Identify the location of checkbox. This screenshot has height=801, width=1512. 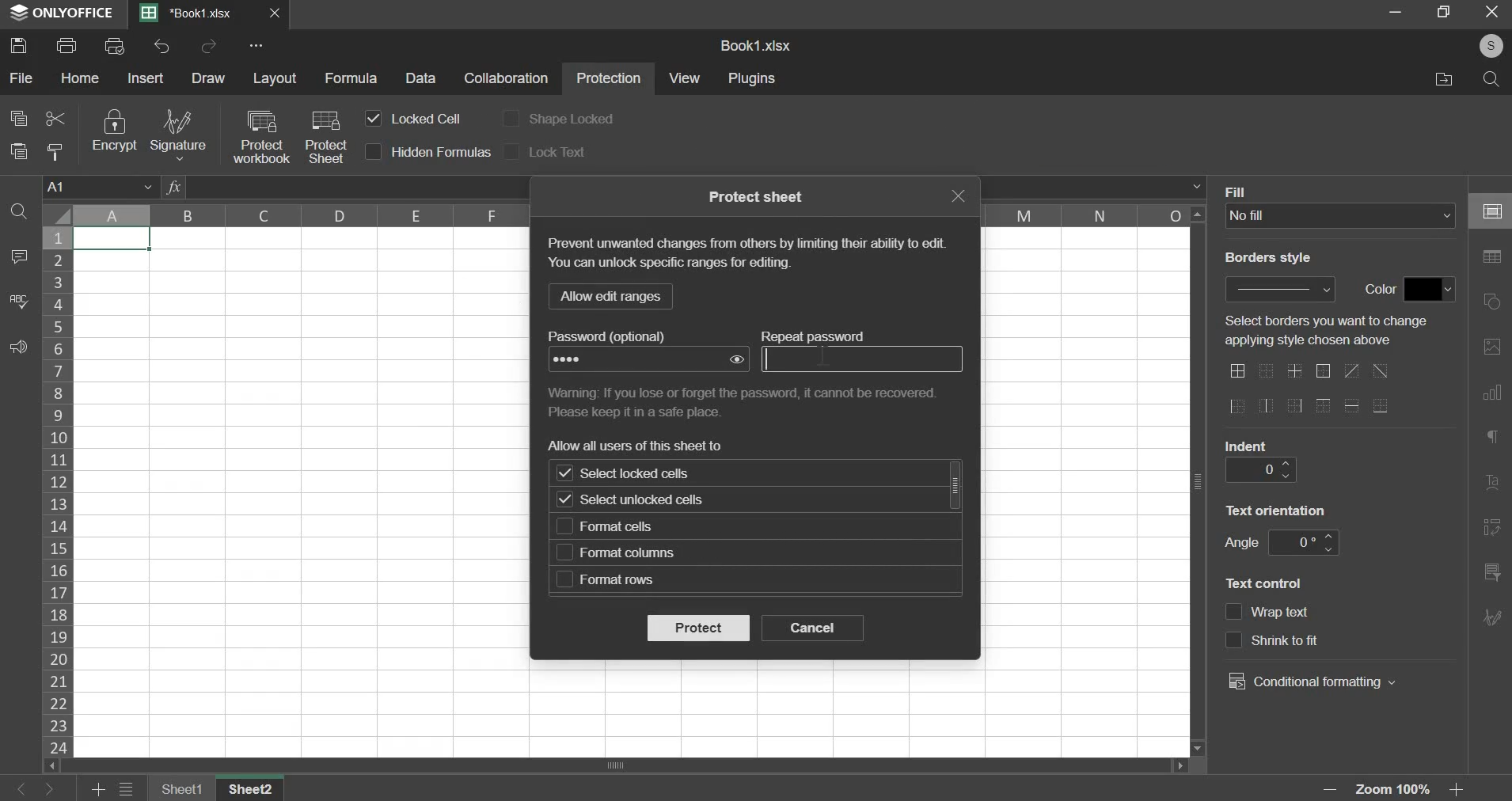
(564, 526).